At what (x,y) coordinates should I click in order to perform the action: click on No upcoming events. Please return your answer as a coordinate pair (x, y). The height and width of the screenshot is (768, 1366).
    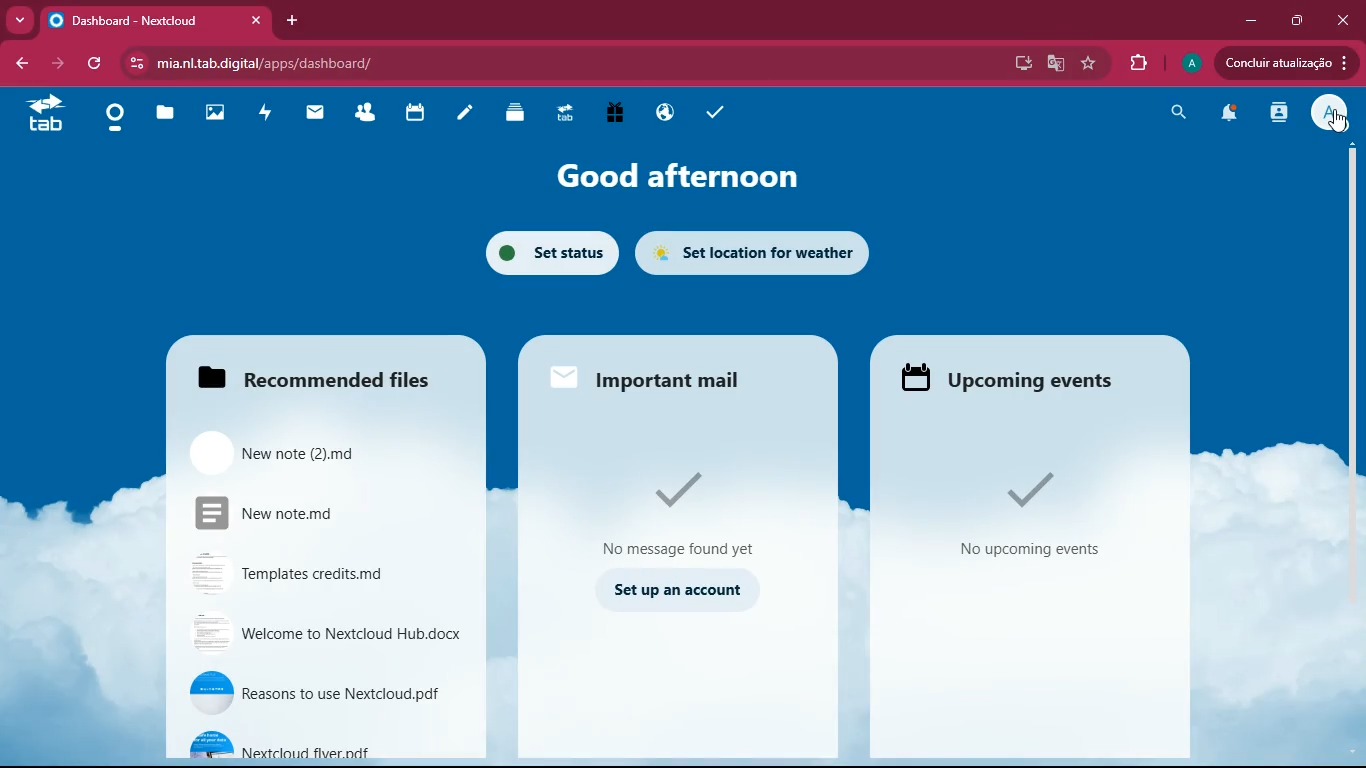
    Looking at the image, I should click on (1030, 499).